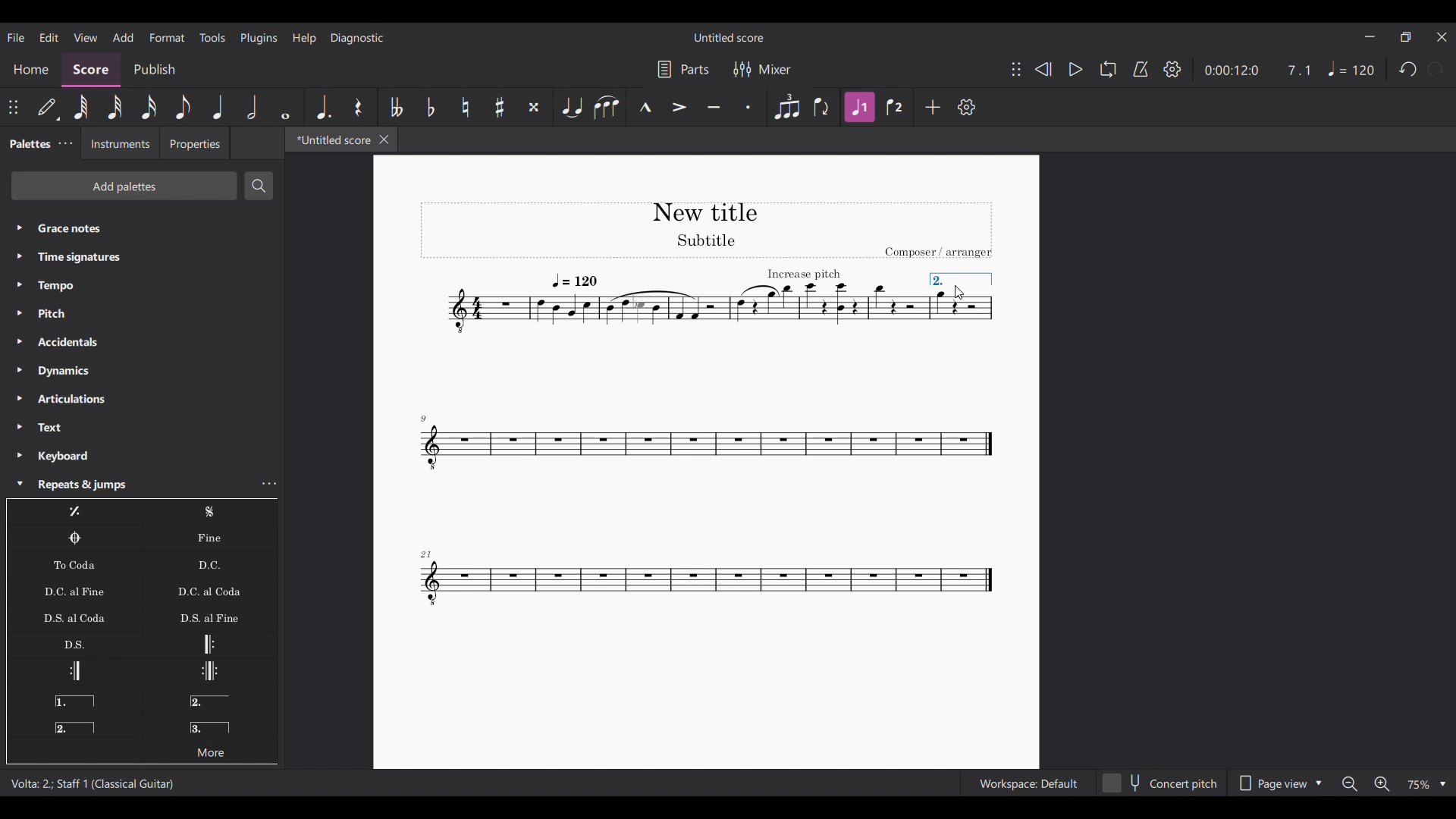 The image size is (1456, 819). What do you see at coordinates (115, 107) in the screenshot?
I see `32nd note` at bounding box center [115, 107].